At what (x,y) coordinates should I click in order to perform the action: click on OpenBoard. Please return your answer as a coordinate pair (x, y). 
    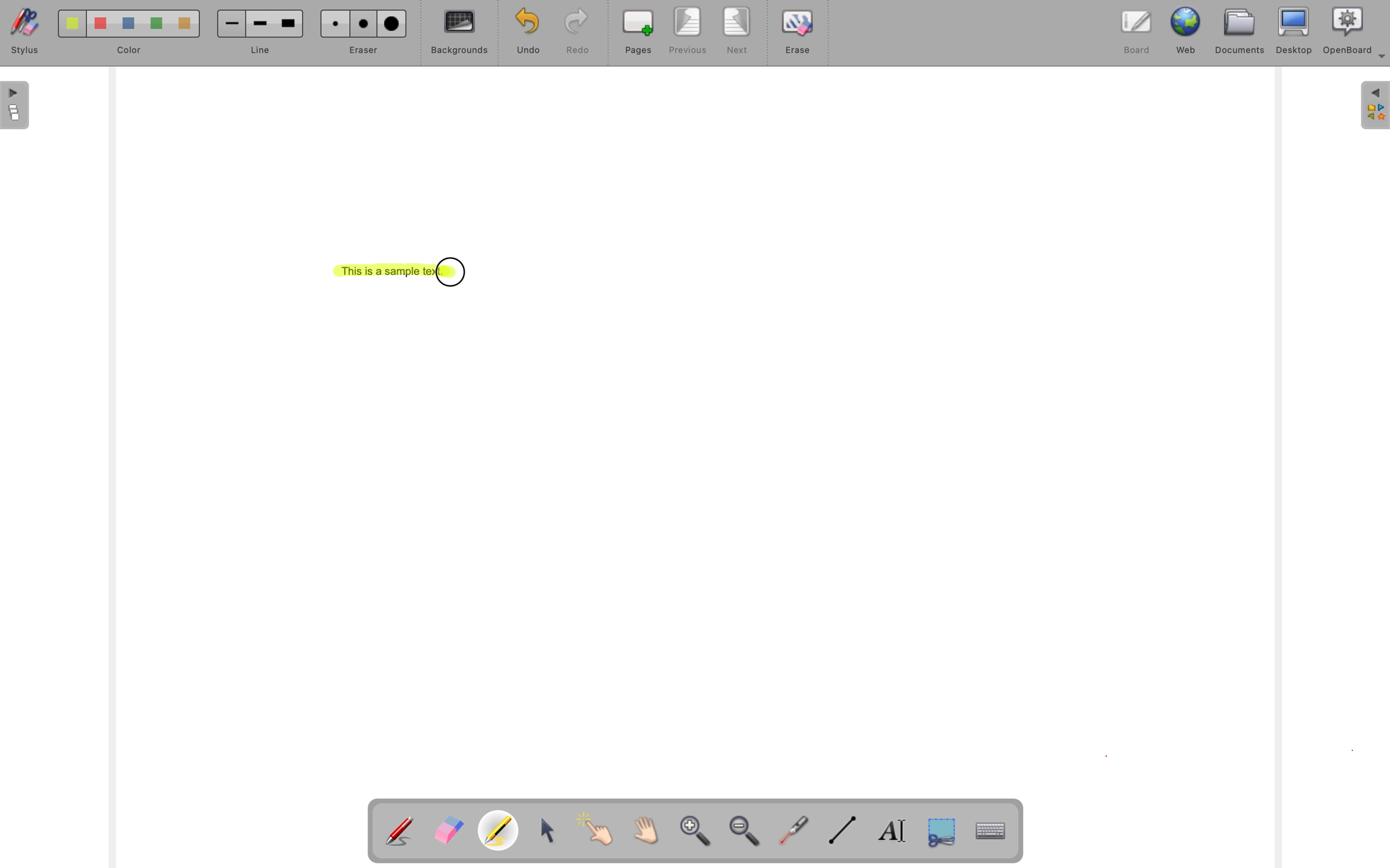
    Looking at the image, I should click on (1355, 32).